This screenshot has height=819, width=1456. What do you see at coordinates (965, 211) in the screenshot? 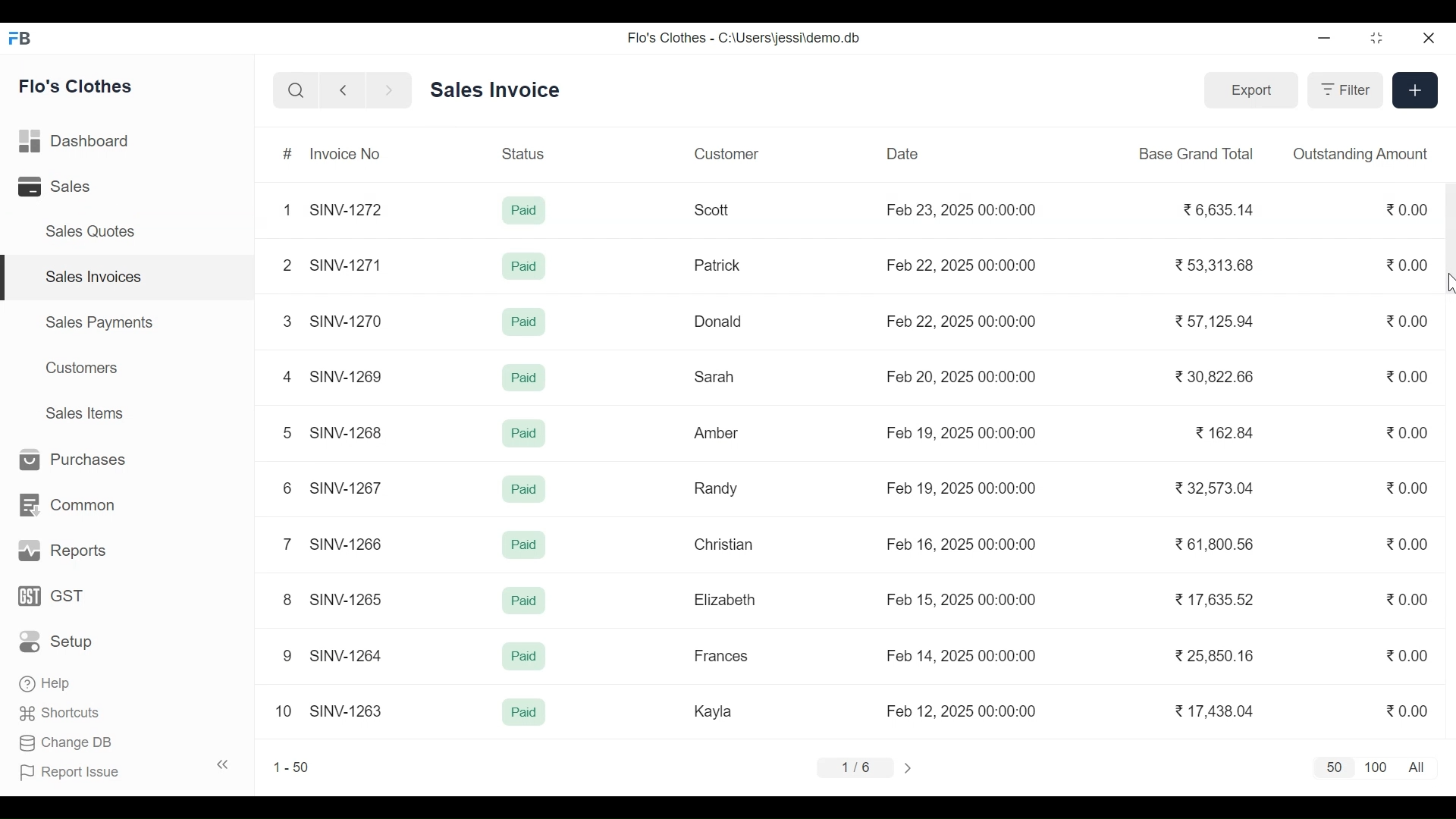
I see `Feb 23, 2025 00:00:00` at bounding box center [965, 211].